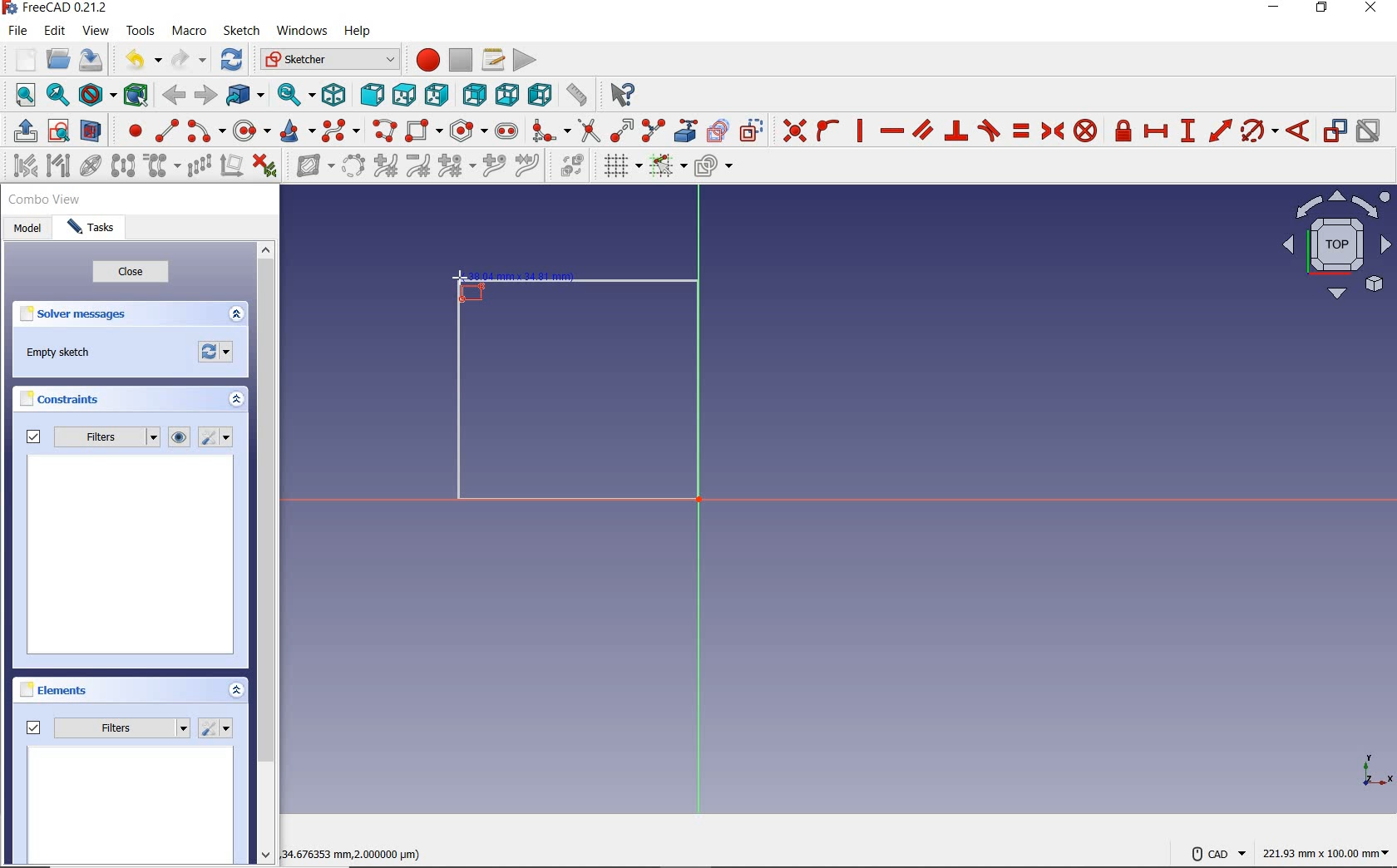 The image size is (1397, 868). What do you see at coordinates (55, 689) in the screenshot?
I see `elements` at bounding box center [55, 689].